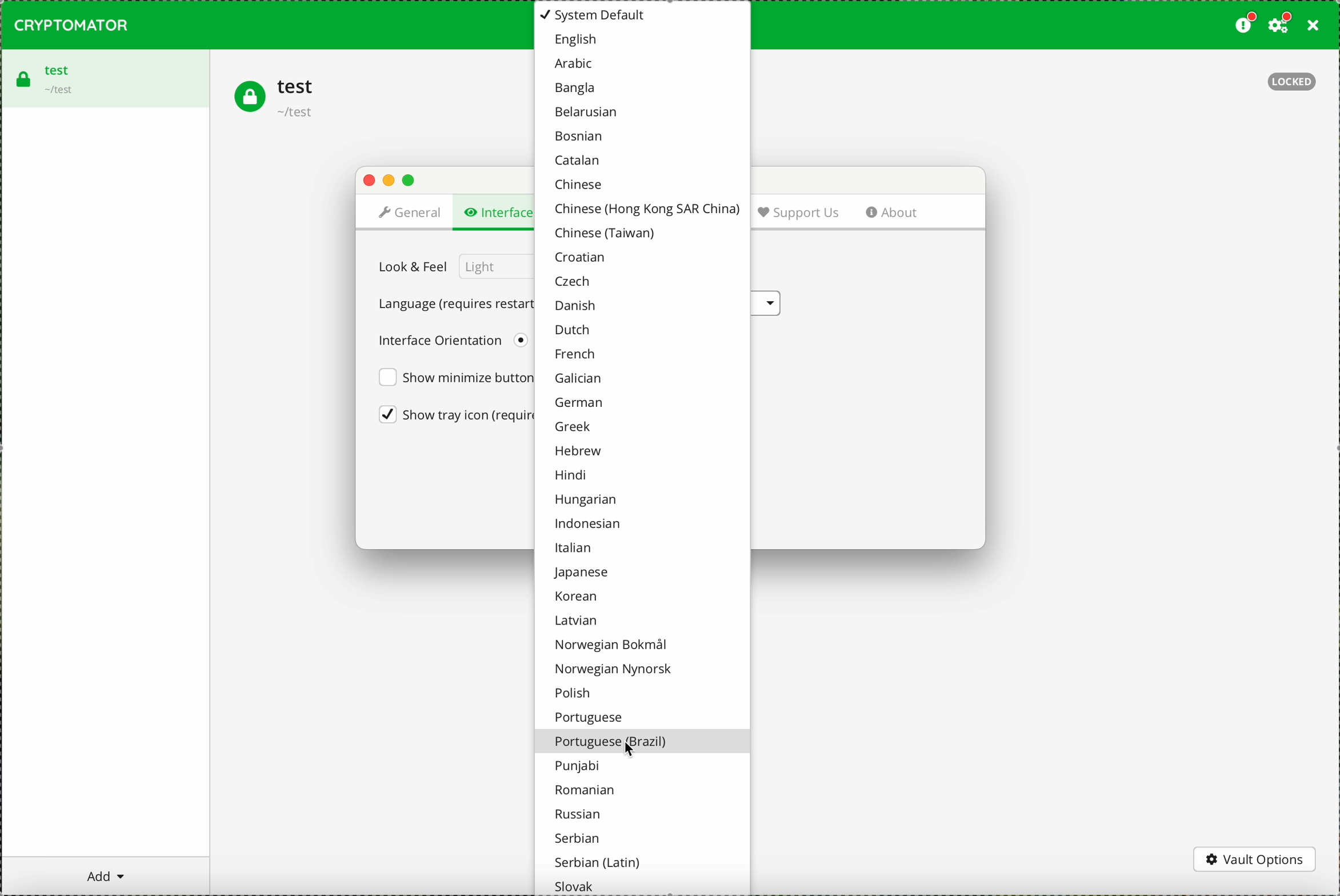 The height and width of the screenshot is (896, 1340). What do you see at coordinates (582, 453) in the screenshot?
I see `hebrew` at bounding box center [582, 453].